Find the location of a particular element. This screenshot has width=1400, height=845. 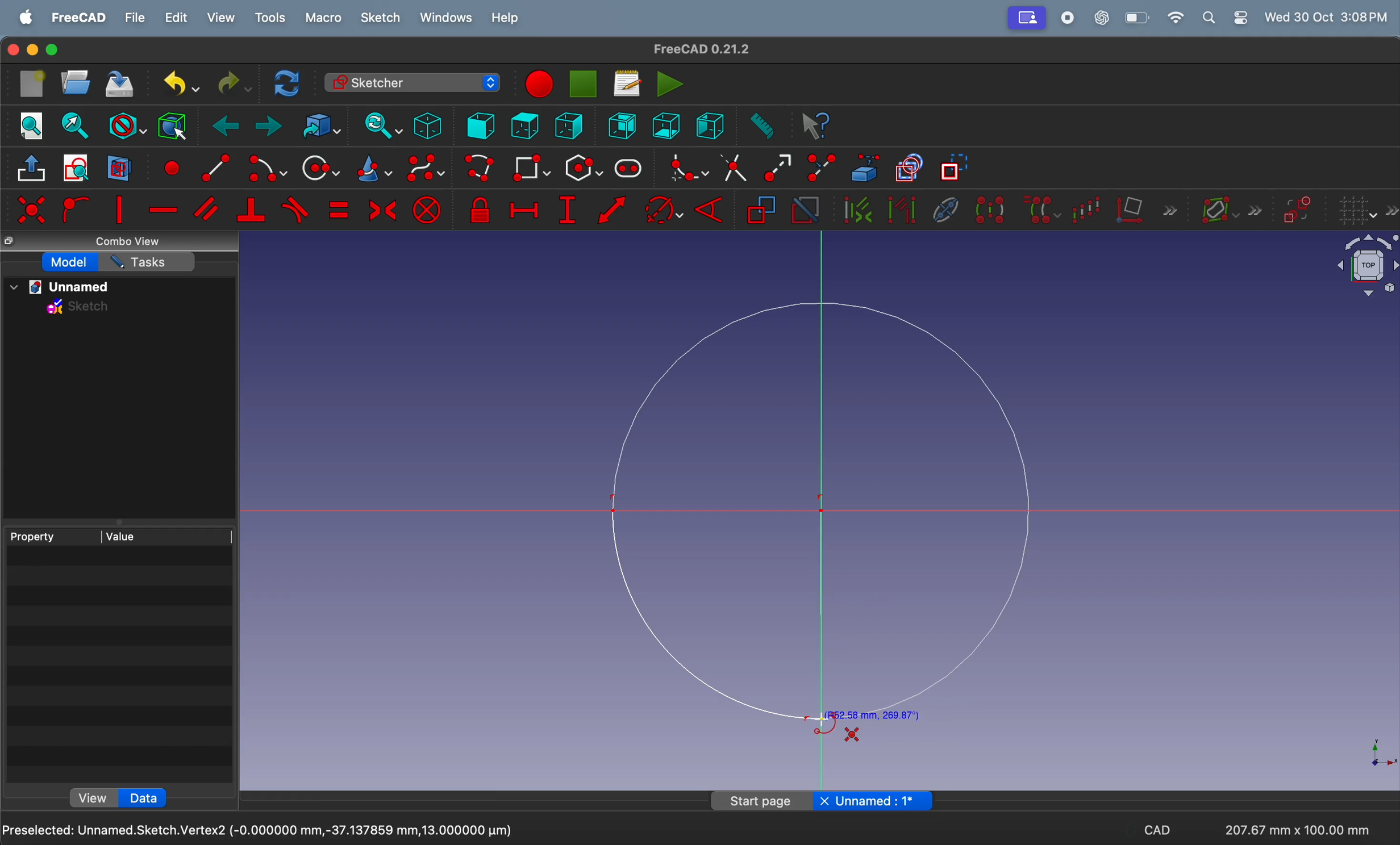

search is located at coordinates (1209, 18).